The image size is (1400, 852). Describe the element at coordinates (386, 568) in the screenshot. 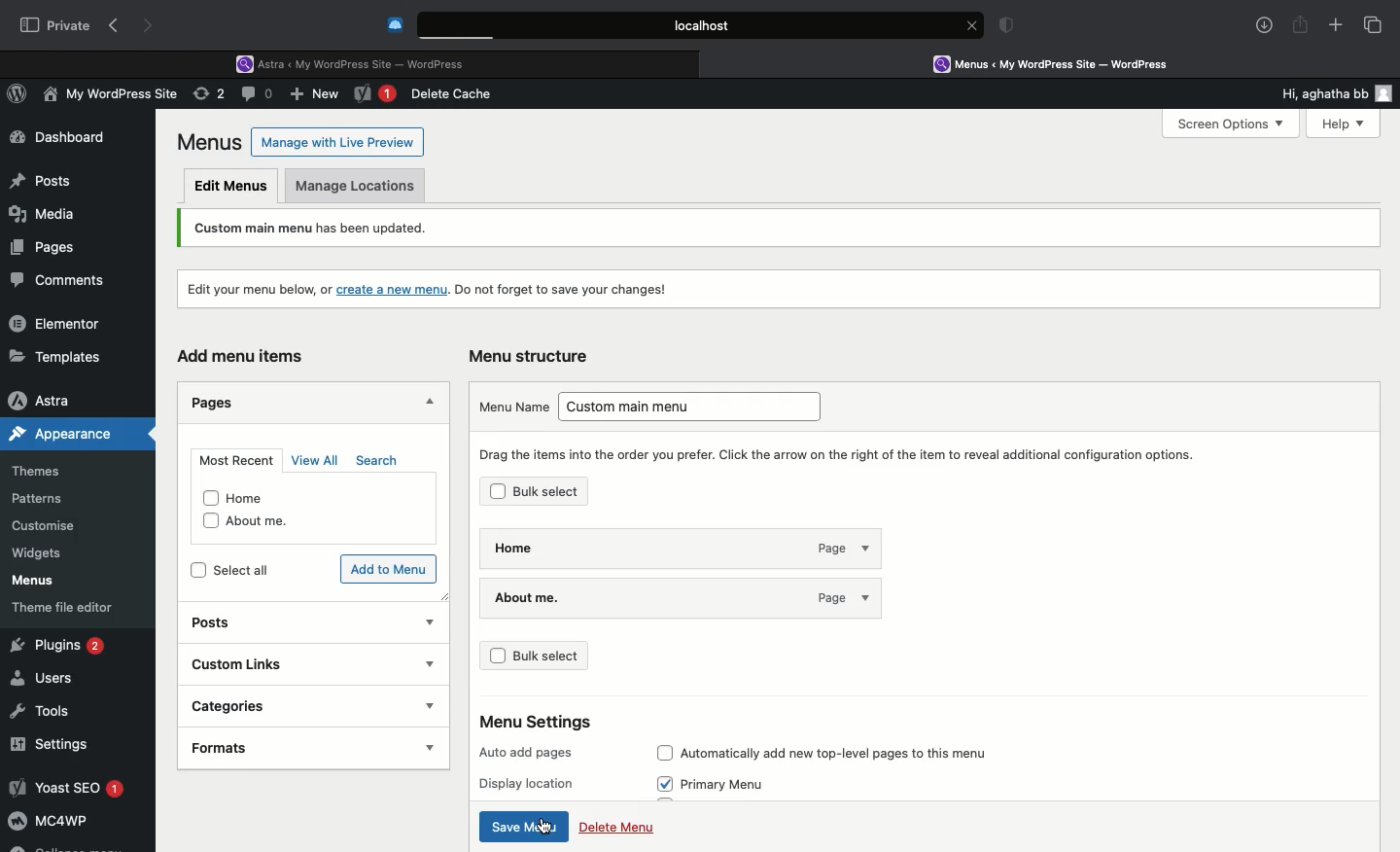

I see `Add to menu` at that location.